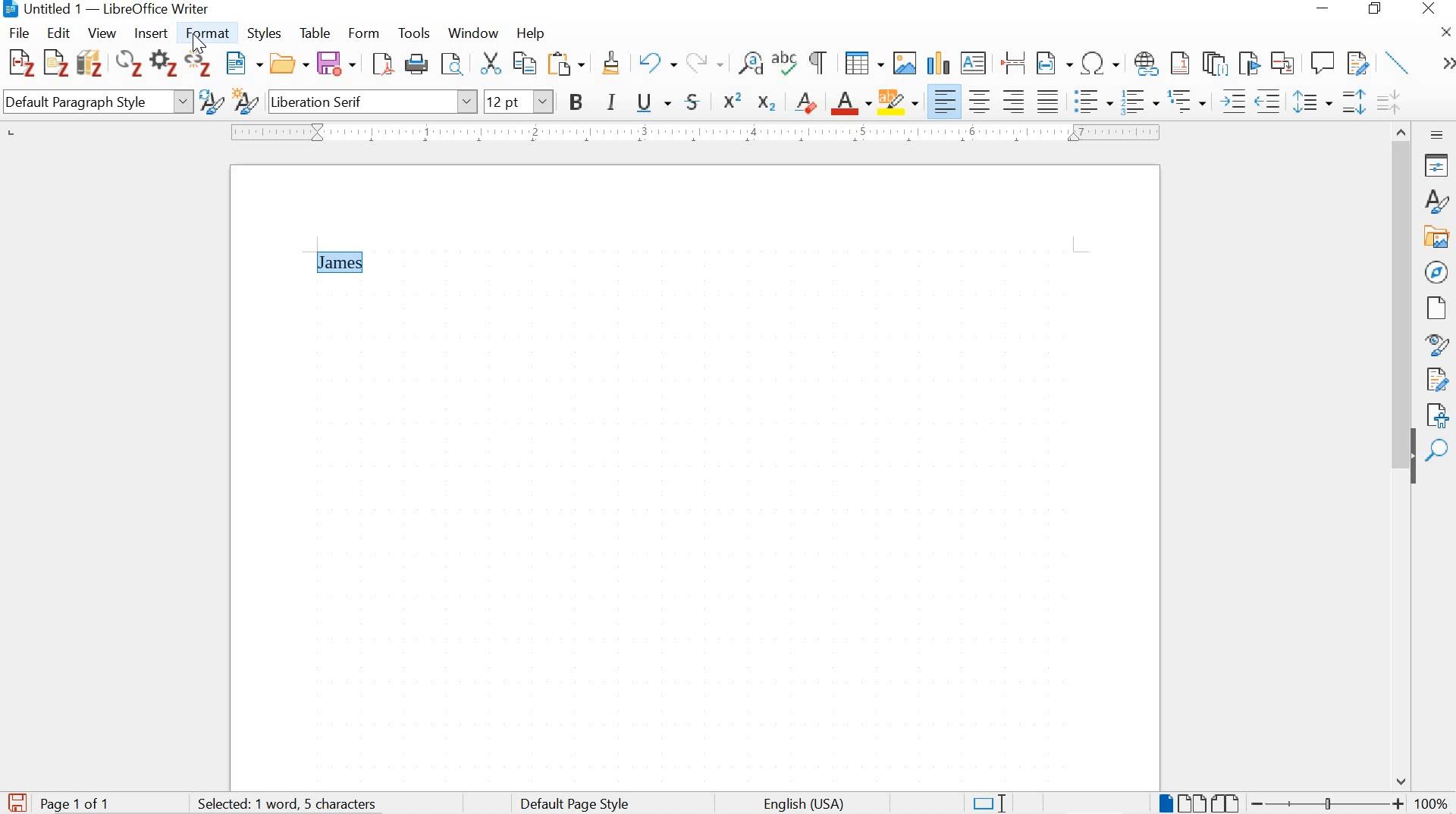 This screenshot has width=1456, height=814. Describe the element at coordinates (1311, 102) in the screenshot. I see `set line spacing` at that location.